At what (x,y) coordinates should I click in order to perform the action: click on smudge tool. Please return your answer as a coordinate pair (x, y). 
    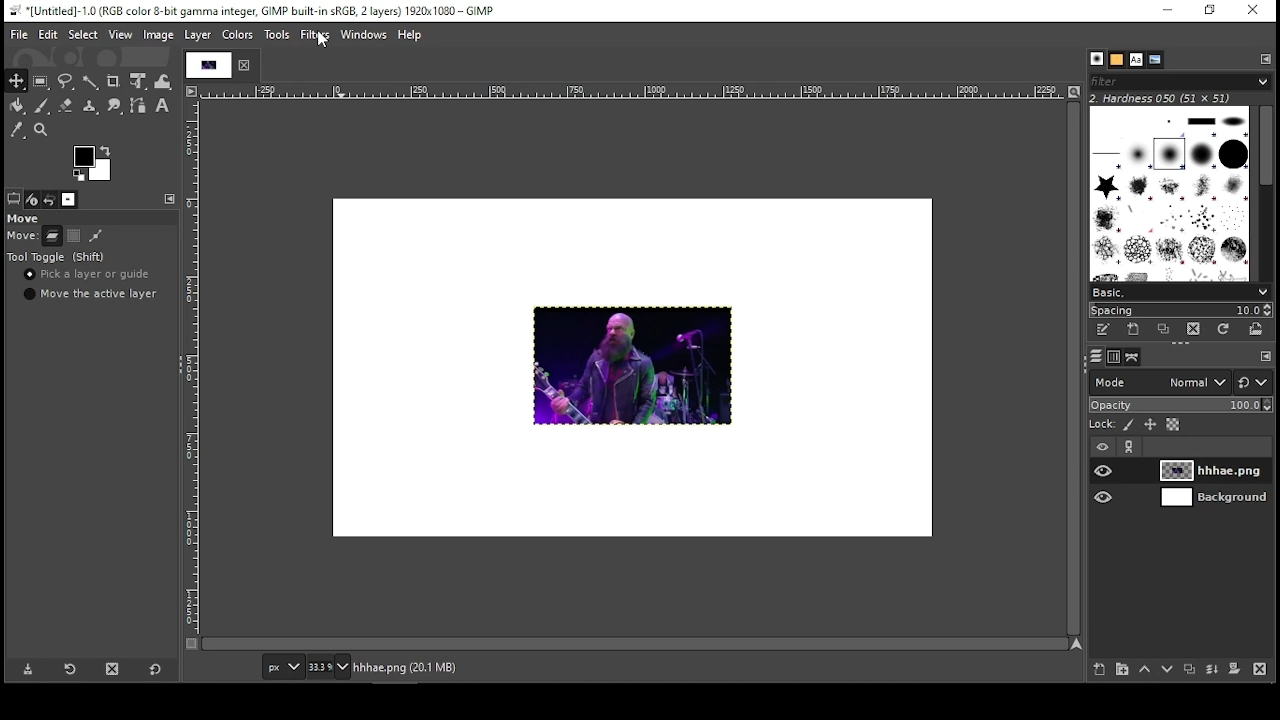
    Looking at the image, I should click on (116, 108).